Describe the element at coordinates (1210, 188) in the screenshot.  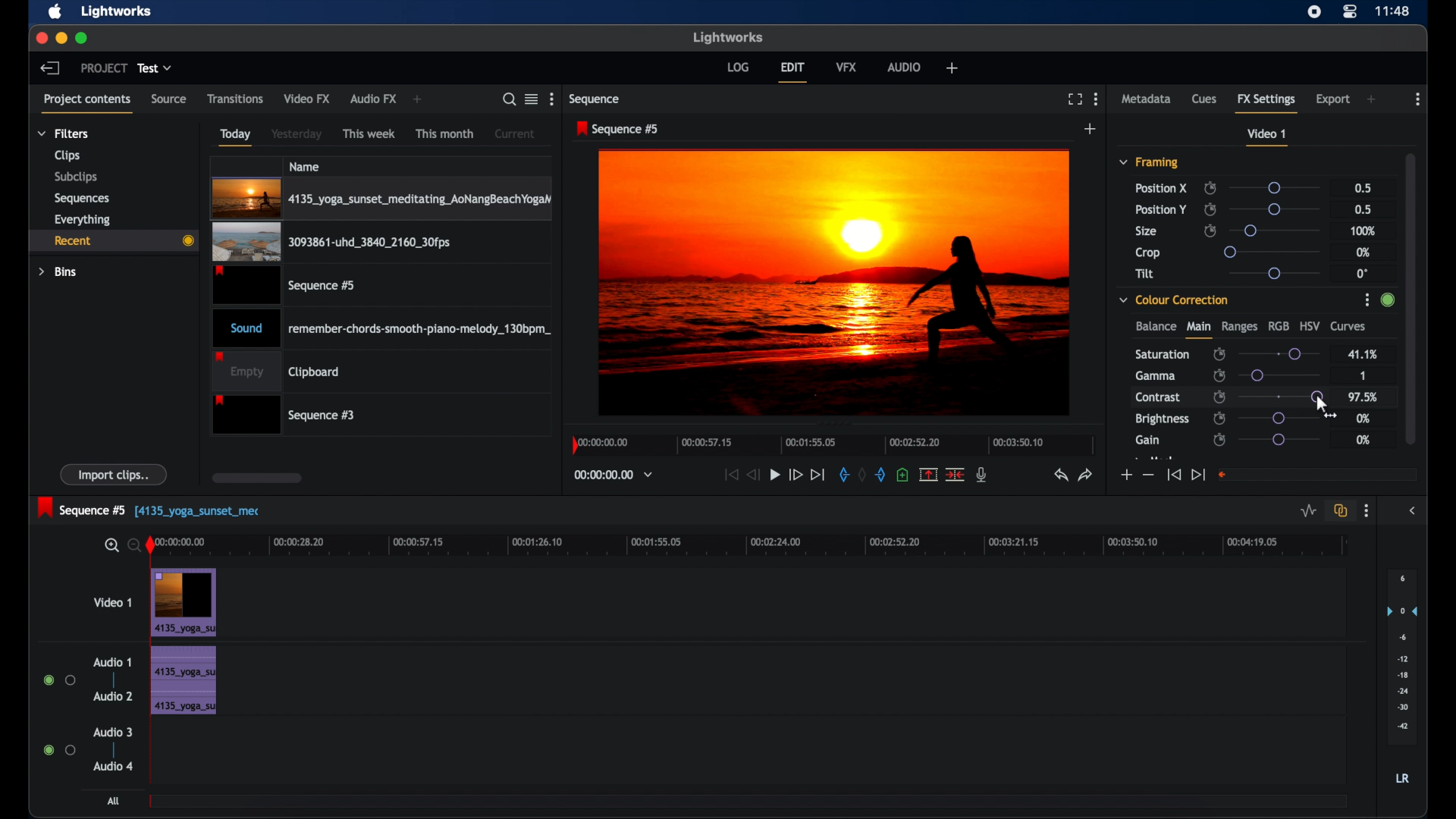
I see `enable/disable keyframes` at that location.